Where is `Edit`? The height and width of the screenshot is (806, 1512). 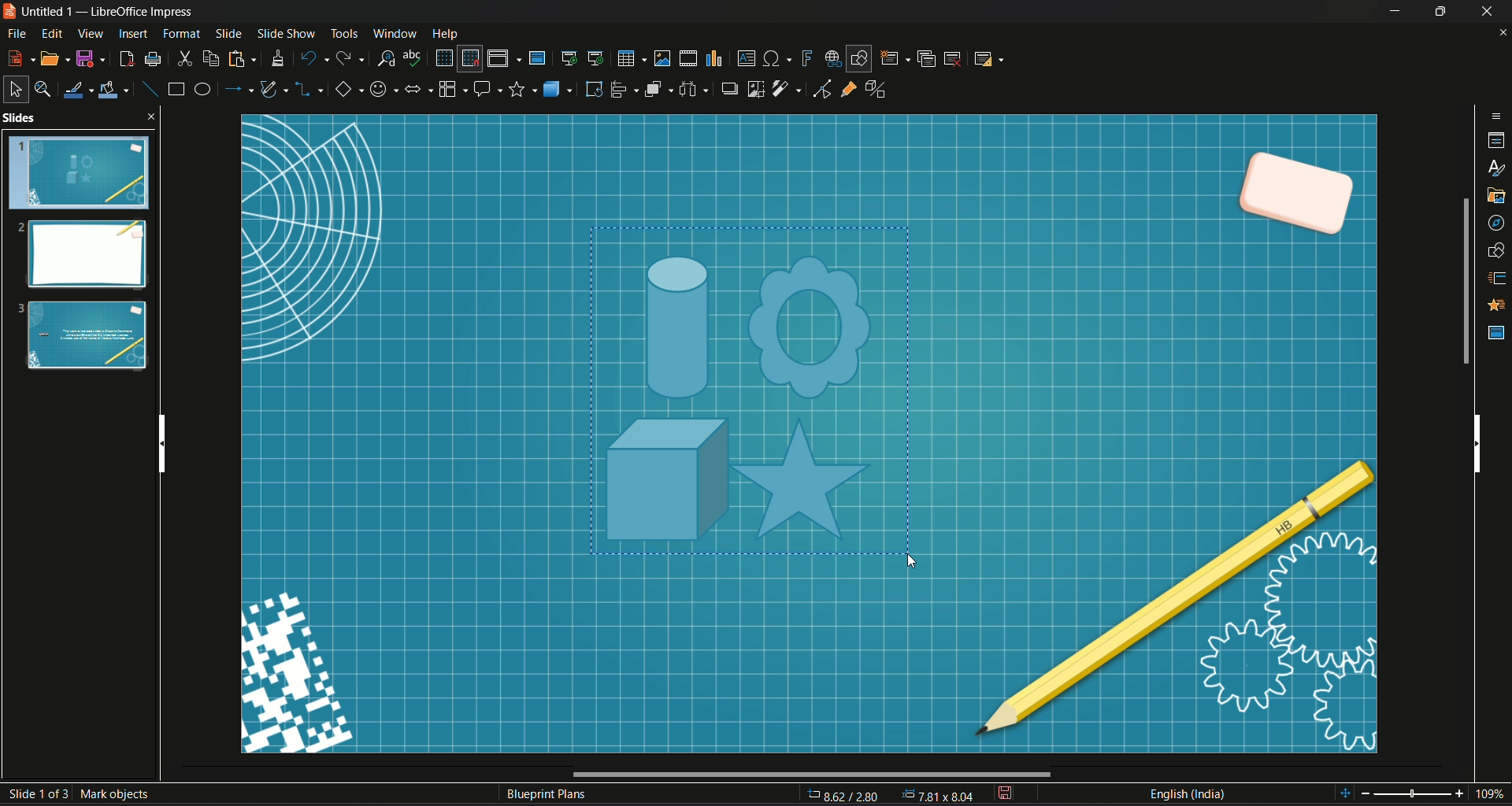
Edit is located at coordinates (53, 34).